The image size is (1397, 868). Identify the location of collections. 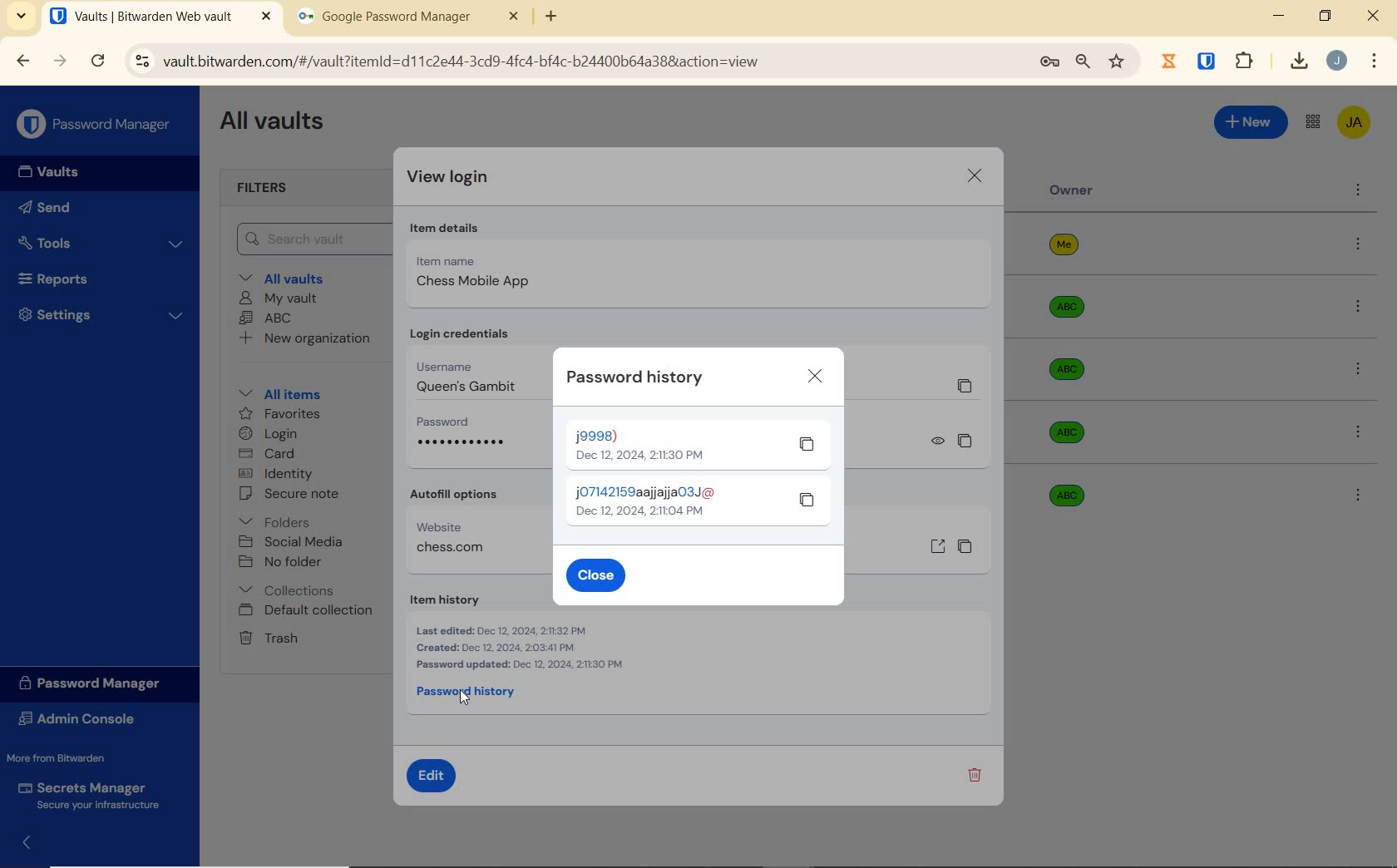
(286, 591).